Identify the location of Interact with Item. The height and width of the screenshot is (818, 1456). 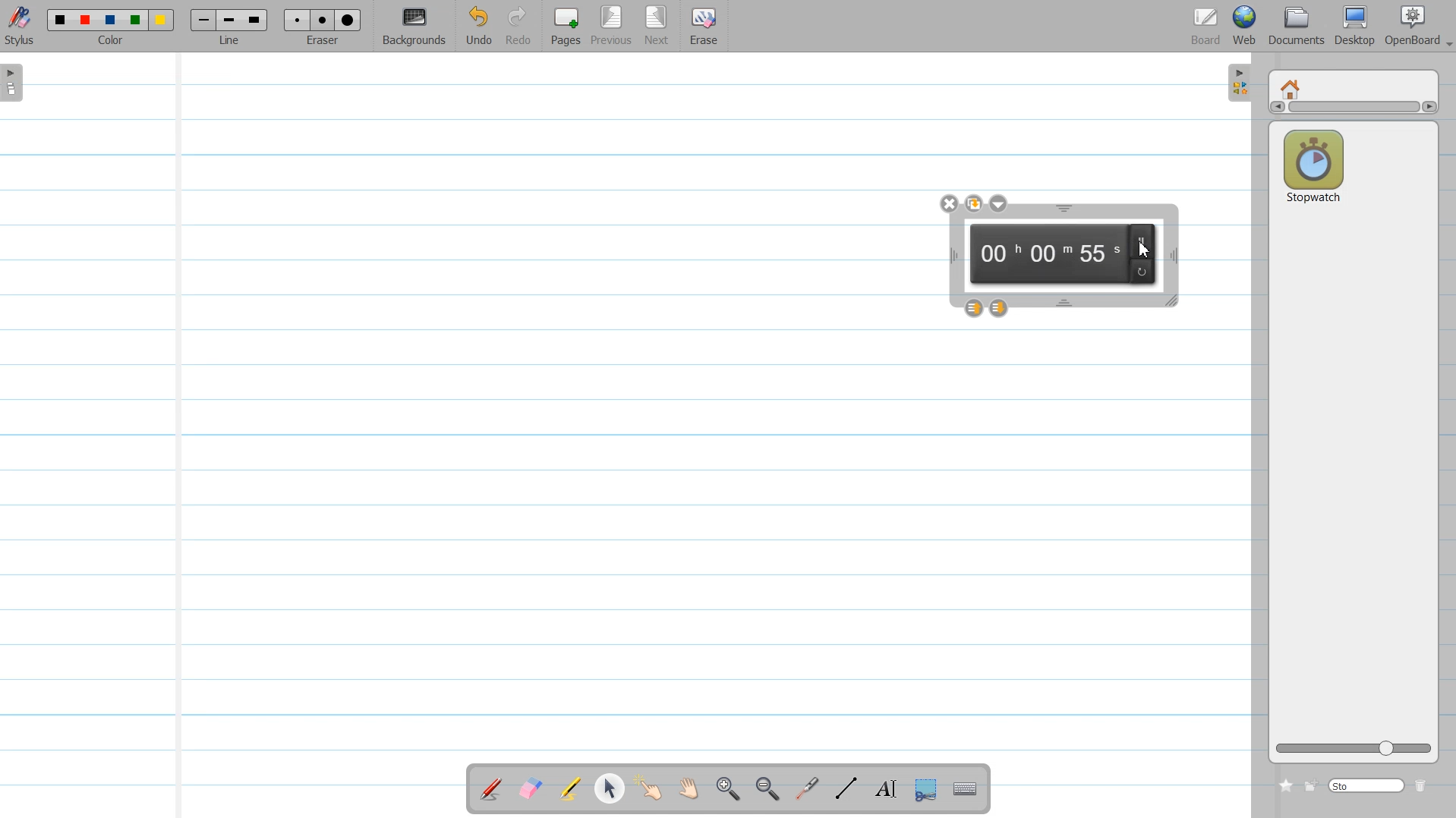
(653, 788).